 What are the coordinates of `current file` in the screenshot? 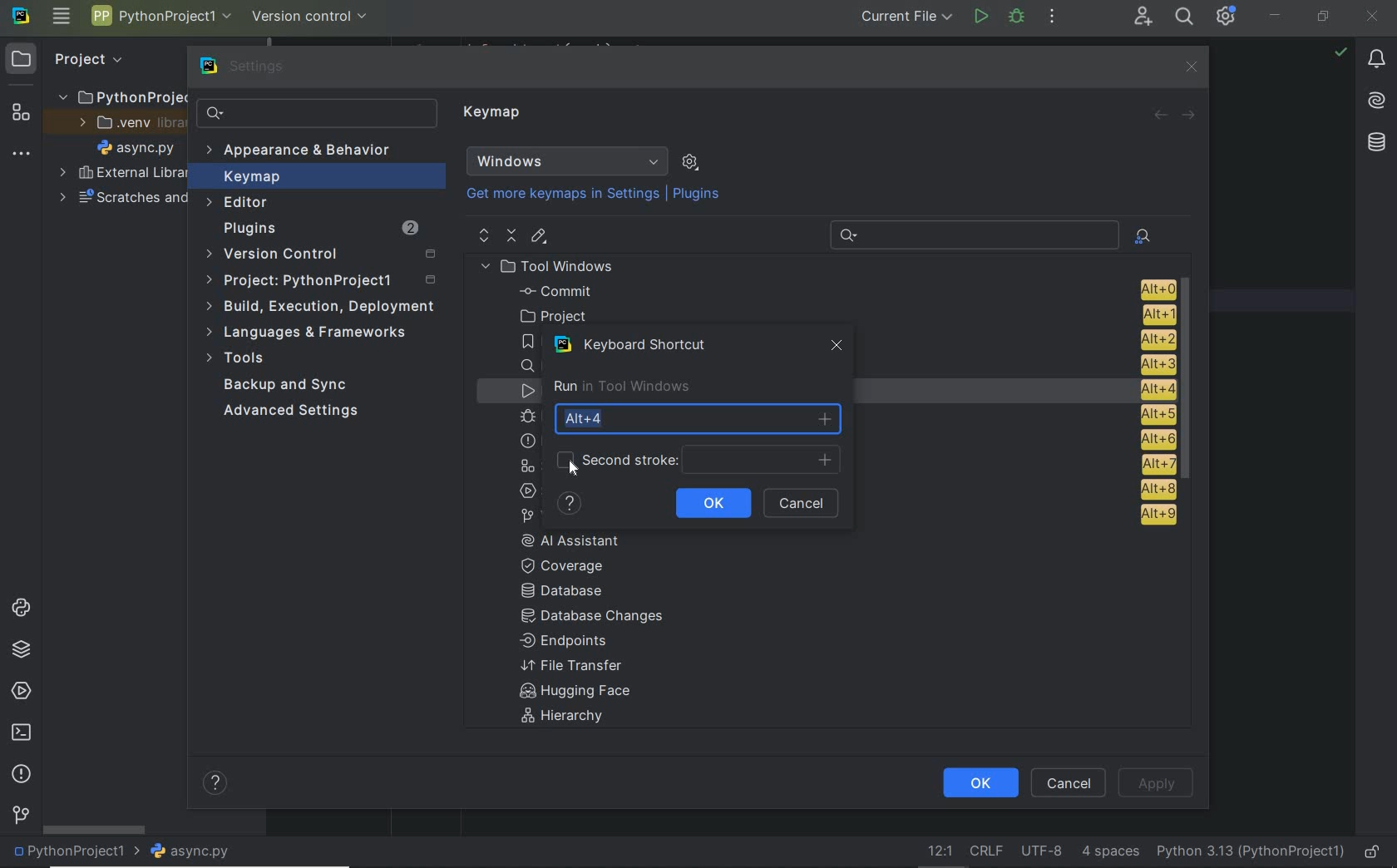 It's located at (901, 18).